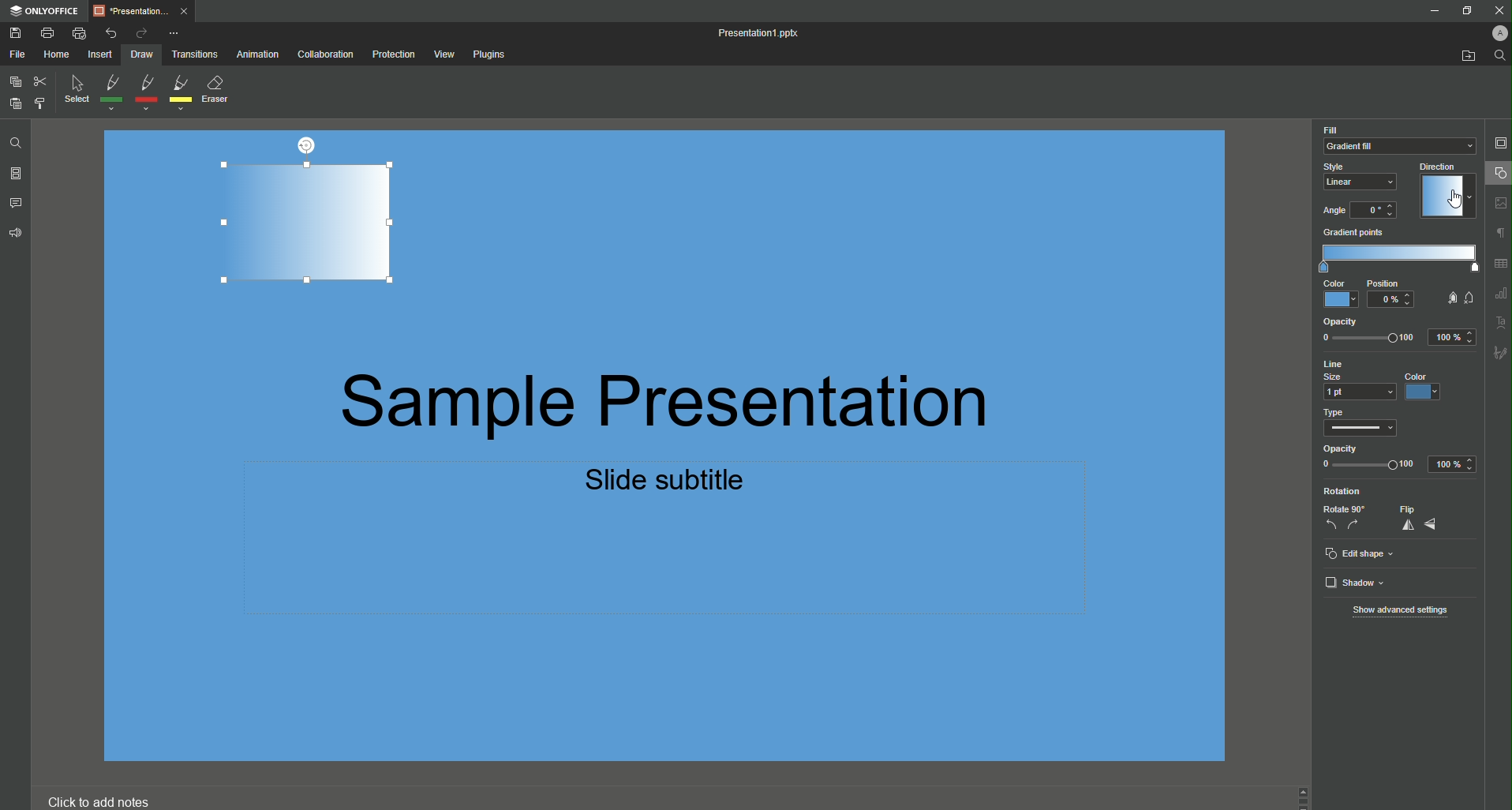  What do you see at coordinates (1499, 56) in the screenshot?
I see `Find` at bounding box center [1499, 56].